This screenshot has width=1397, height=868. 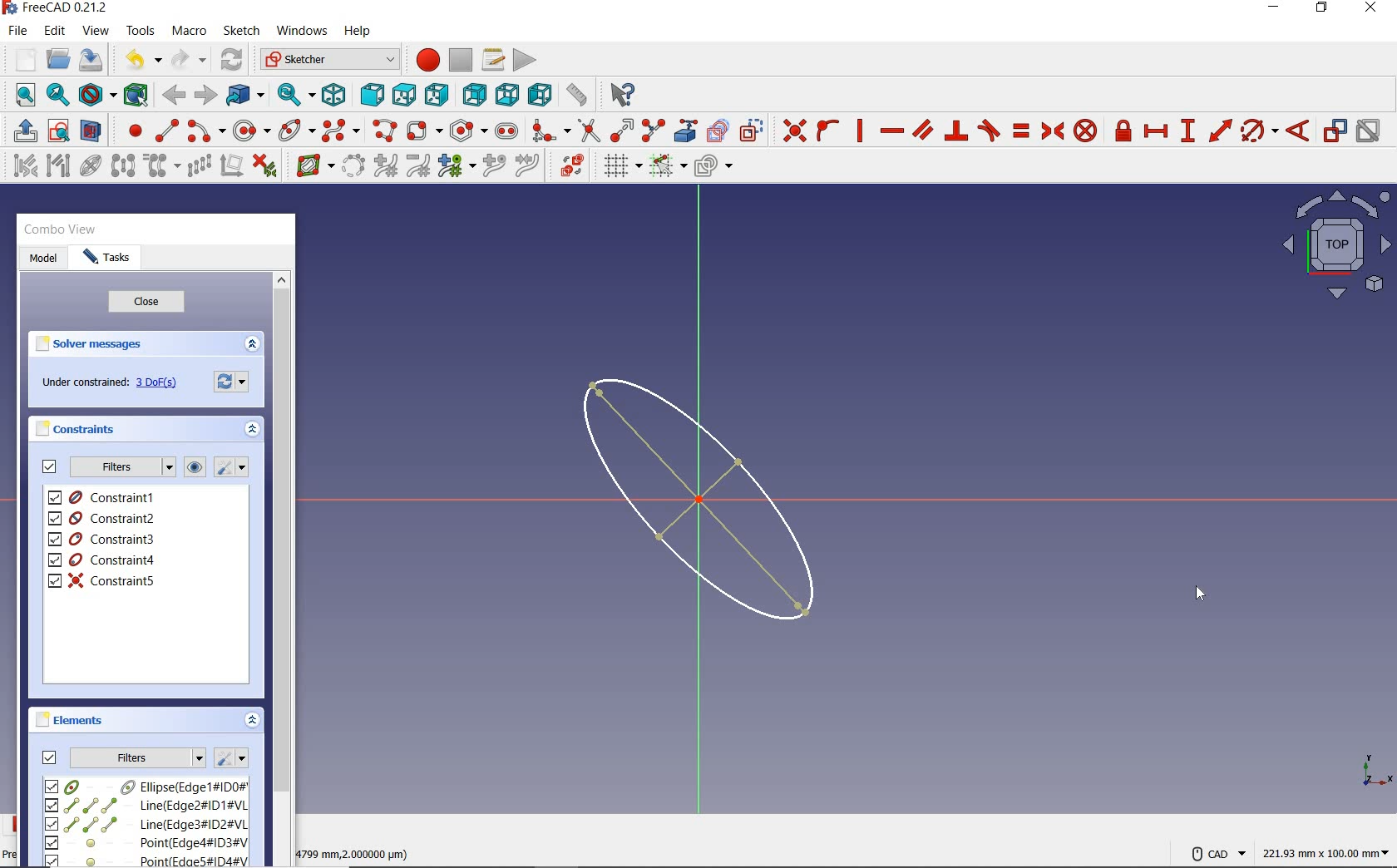 I want to click on shape, so click(x=724, y=507).